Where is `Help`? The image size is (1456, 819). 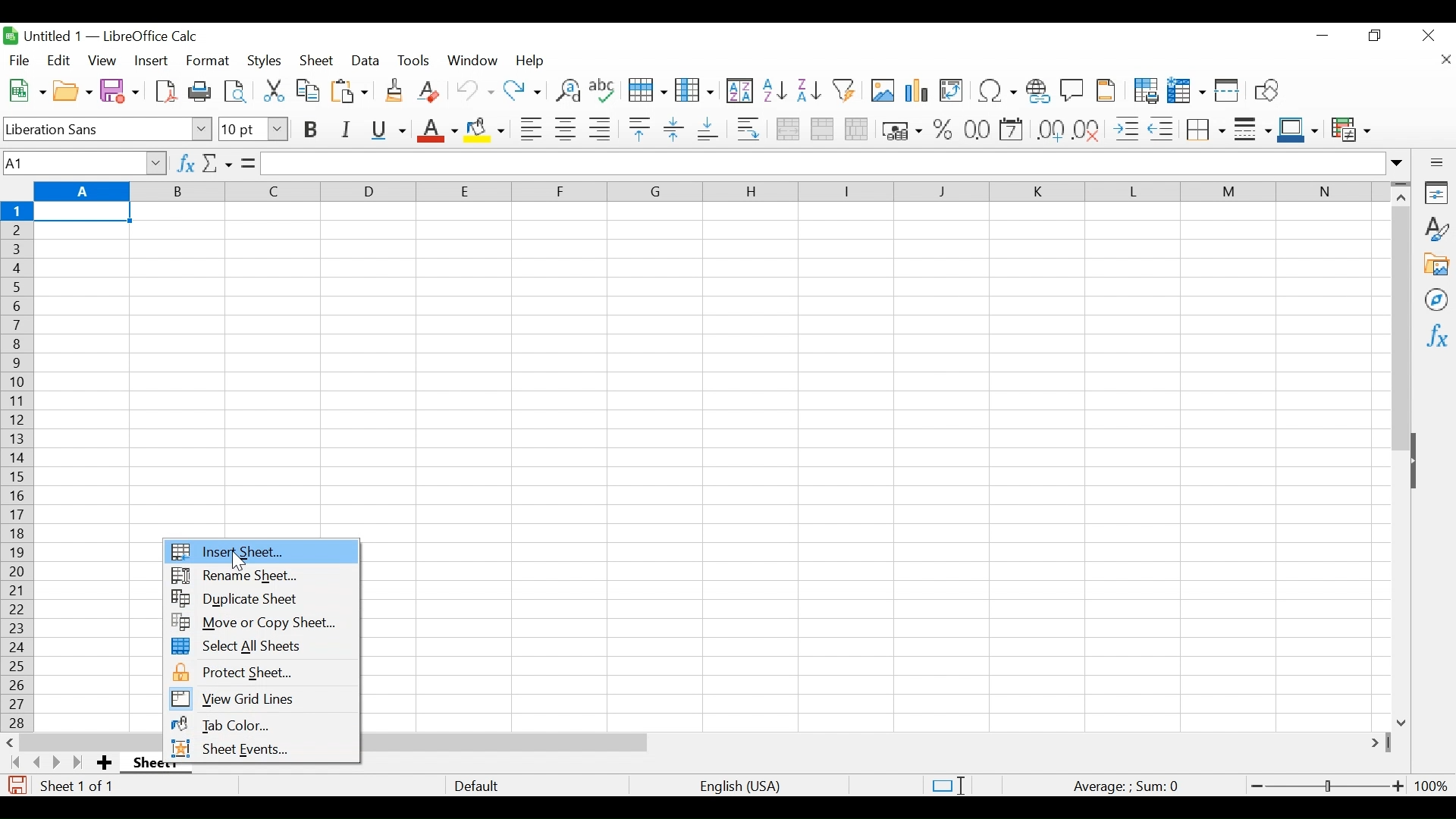 Help is located at coordinates (533, 62).